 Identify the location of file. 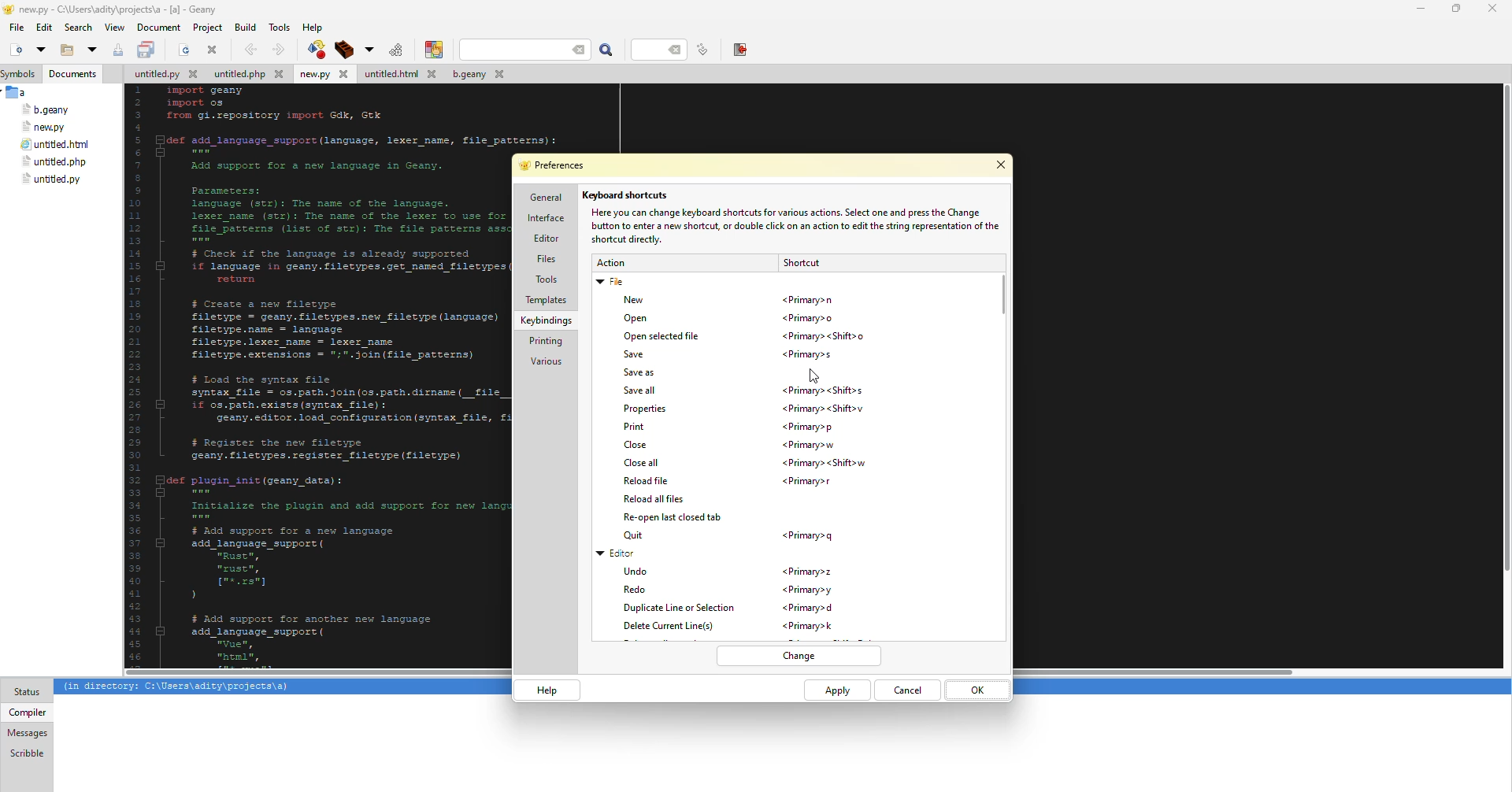
(51, 179).